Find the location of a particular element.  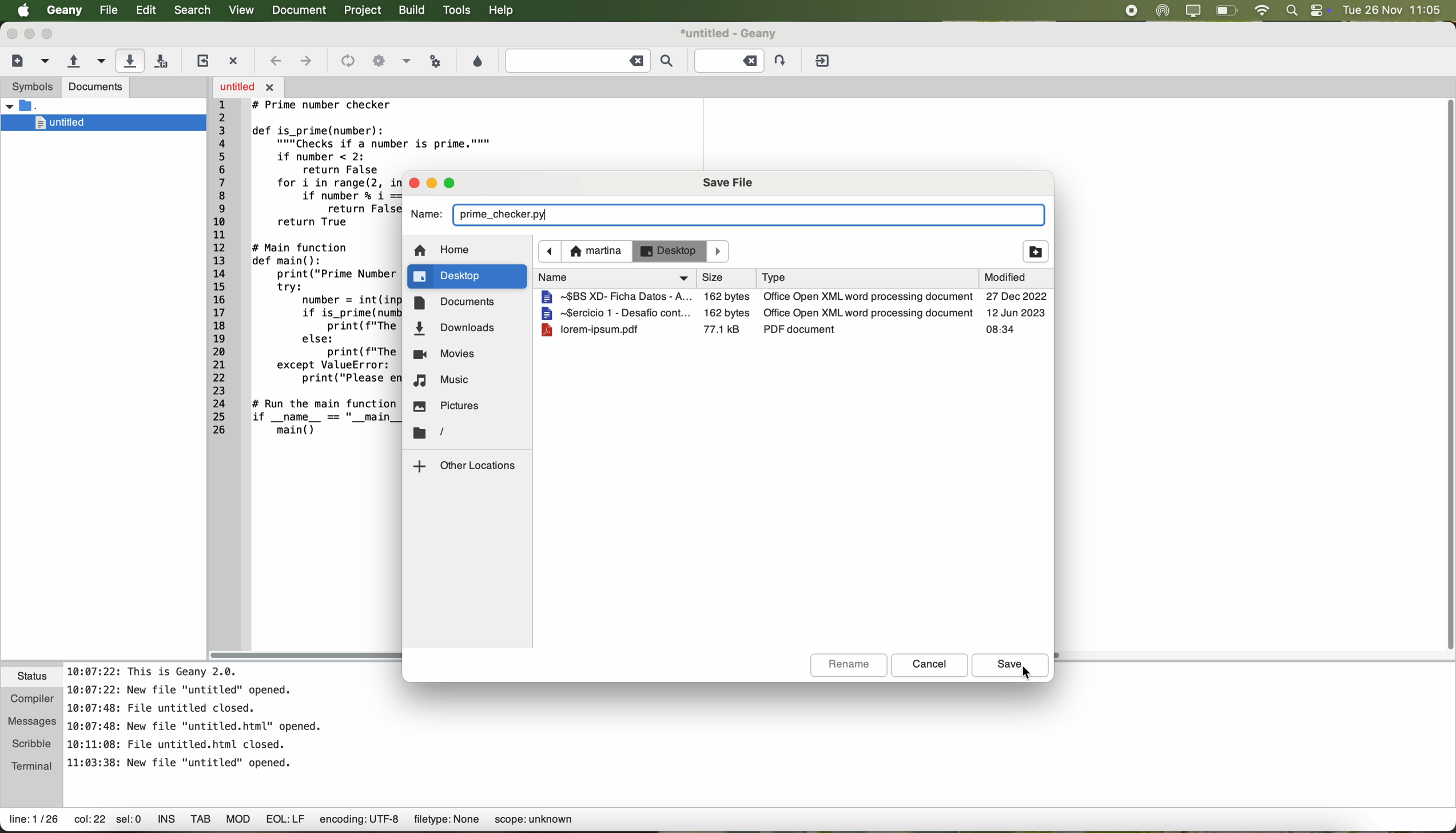

name is located at coordinates (425, 216).